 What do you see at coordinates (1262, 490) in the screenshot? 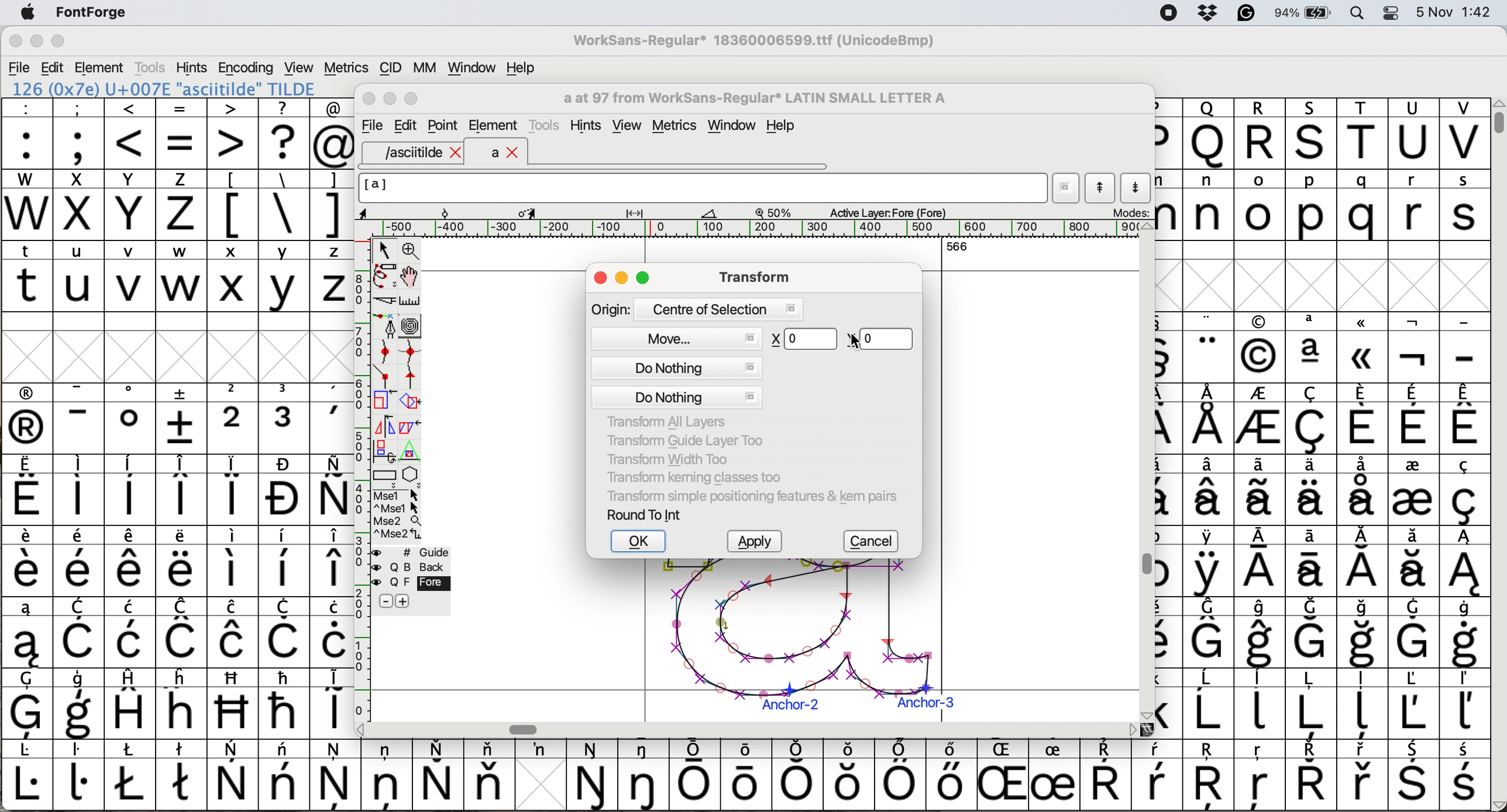
I see `symbol` at bounding box center [1262, 490].